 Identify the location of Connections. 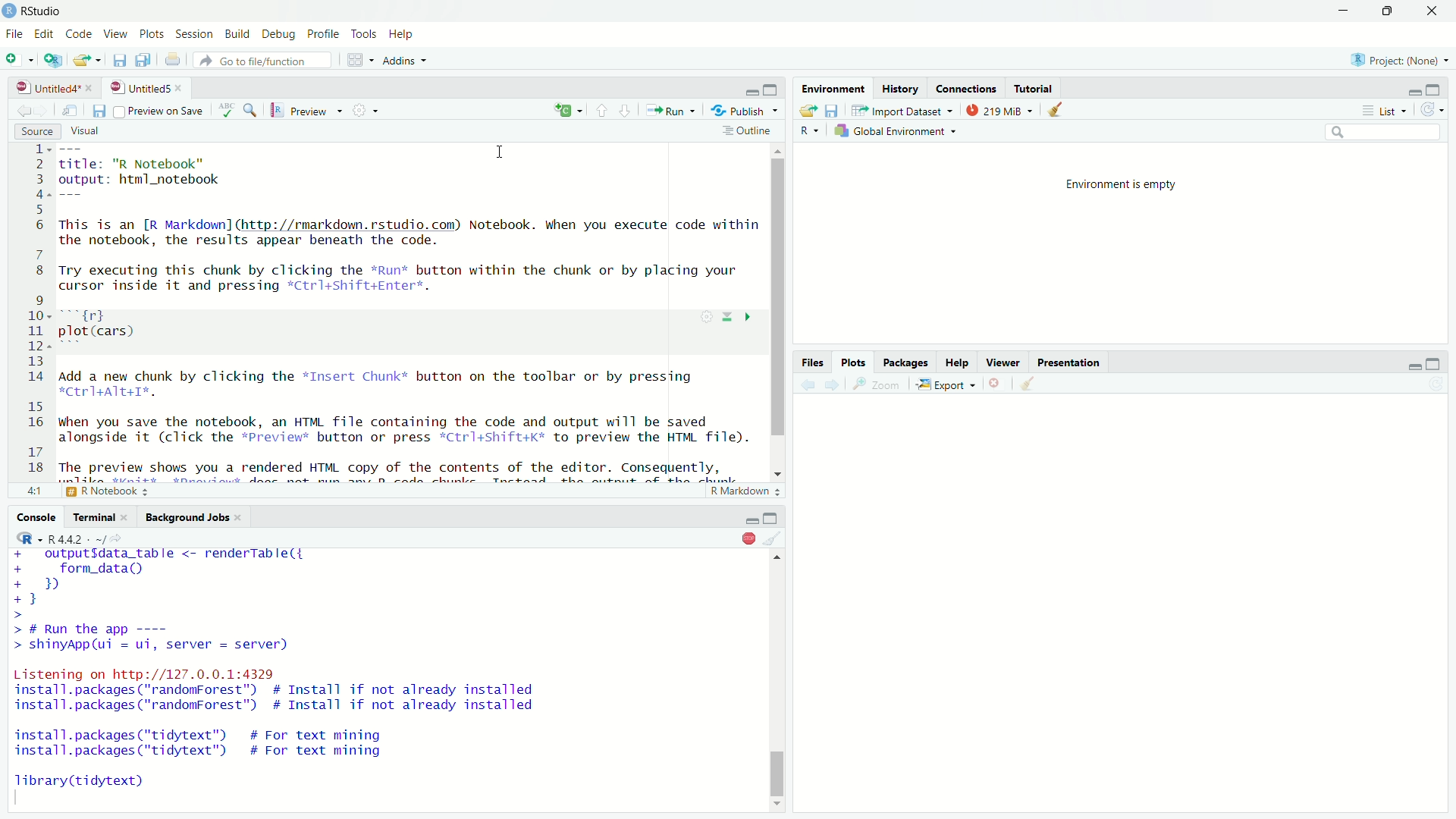
(966, 87).